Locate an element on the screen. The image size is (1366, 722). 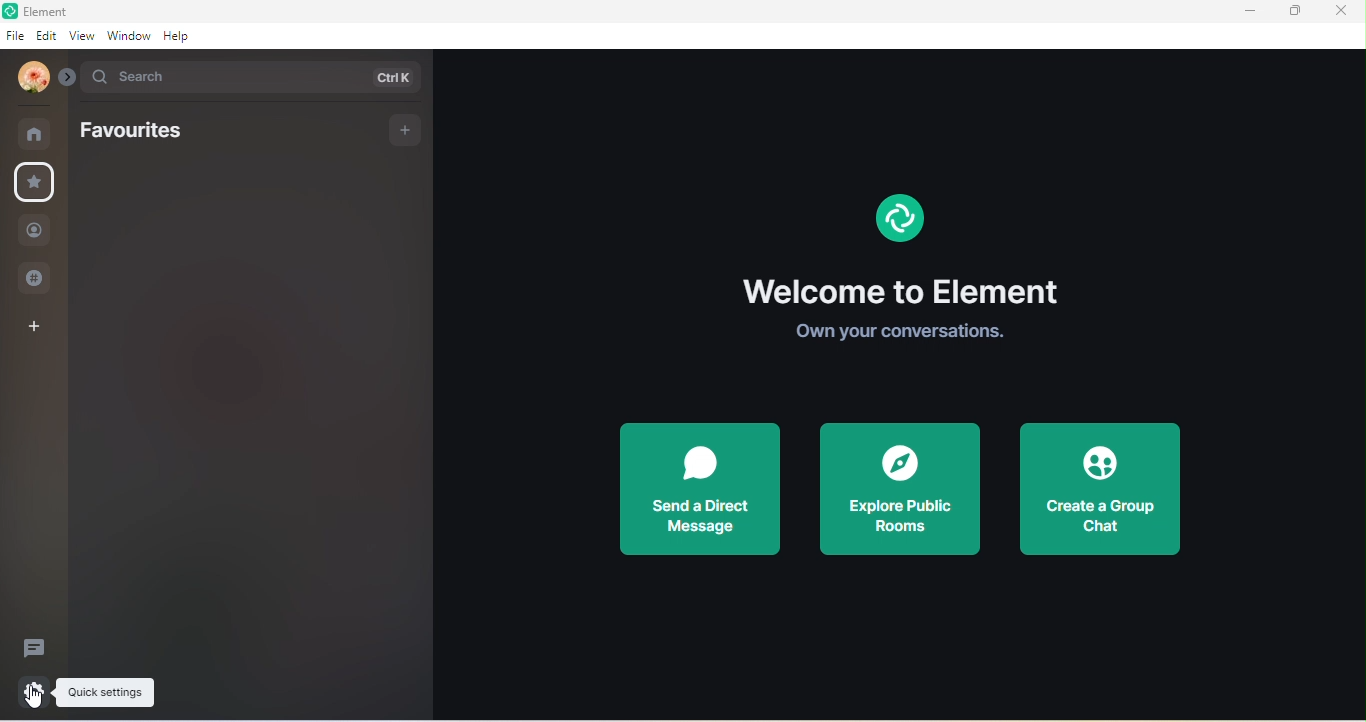
create a space is located at coordinates (35, 326).